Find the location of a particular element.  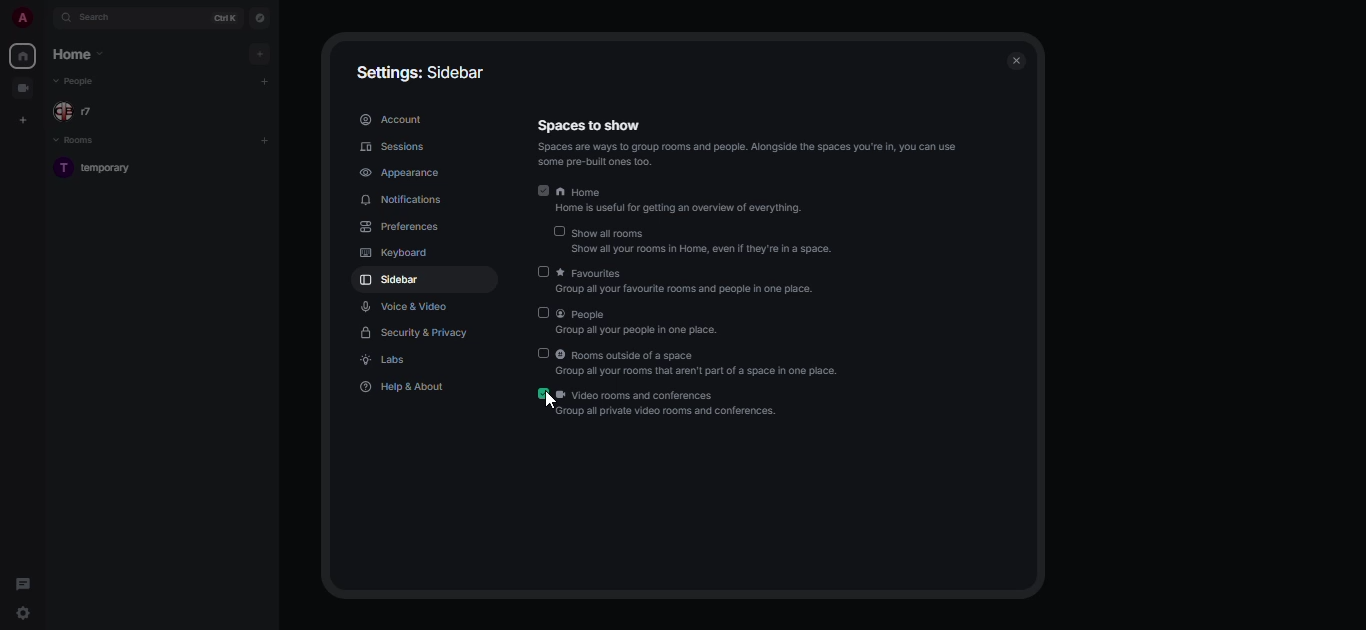

help & about is located at coordinates (400, 388).